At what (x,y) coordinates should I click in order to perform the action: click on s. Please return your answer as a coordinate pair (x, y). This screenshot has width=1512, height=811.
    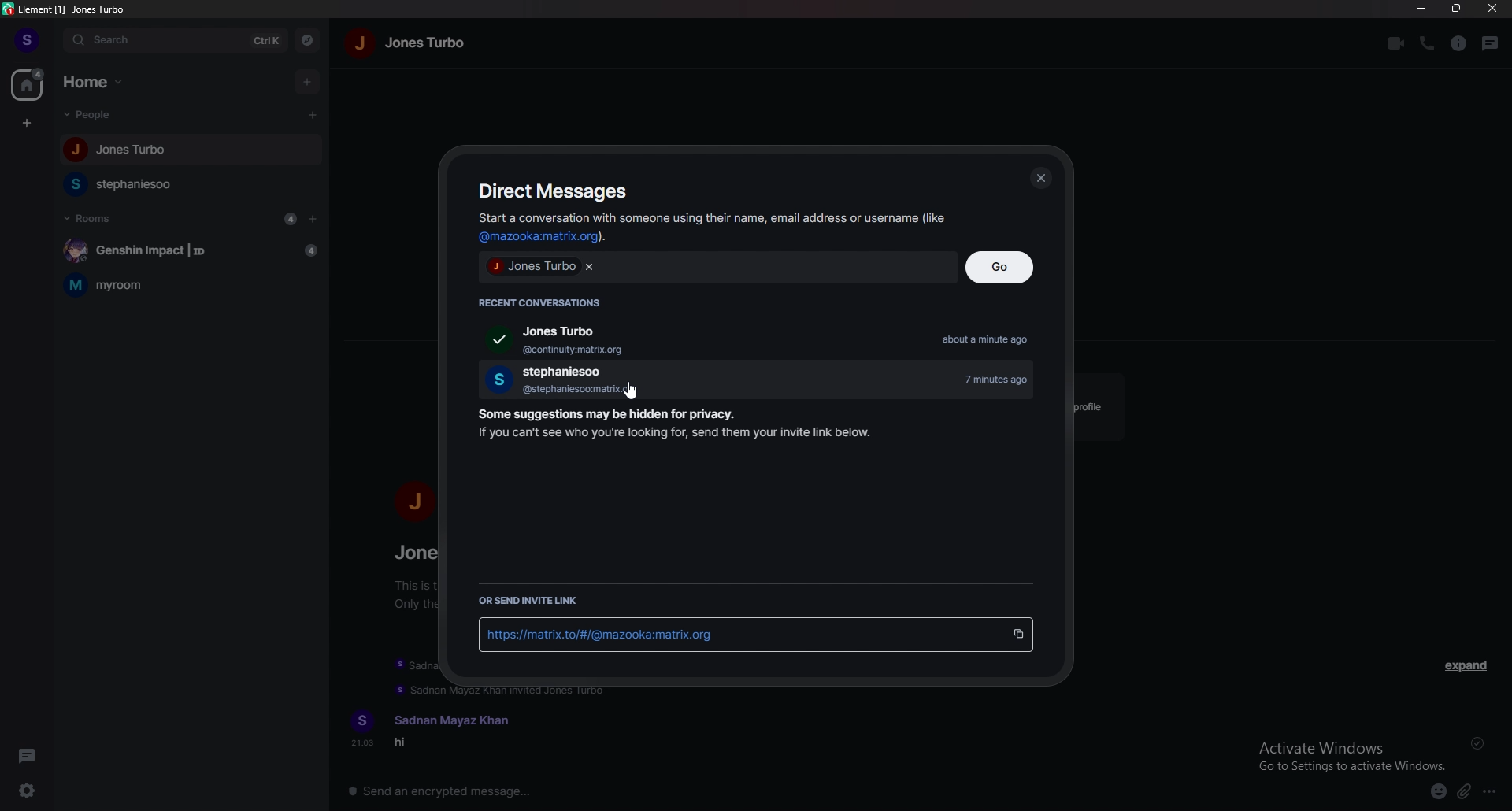
    Looking at the image, I should click on (362, 717).